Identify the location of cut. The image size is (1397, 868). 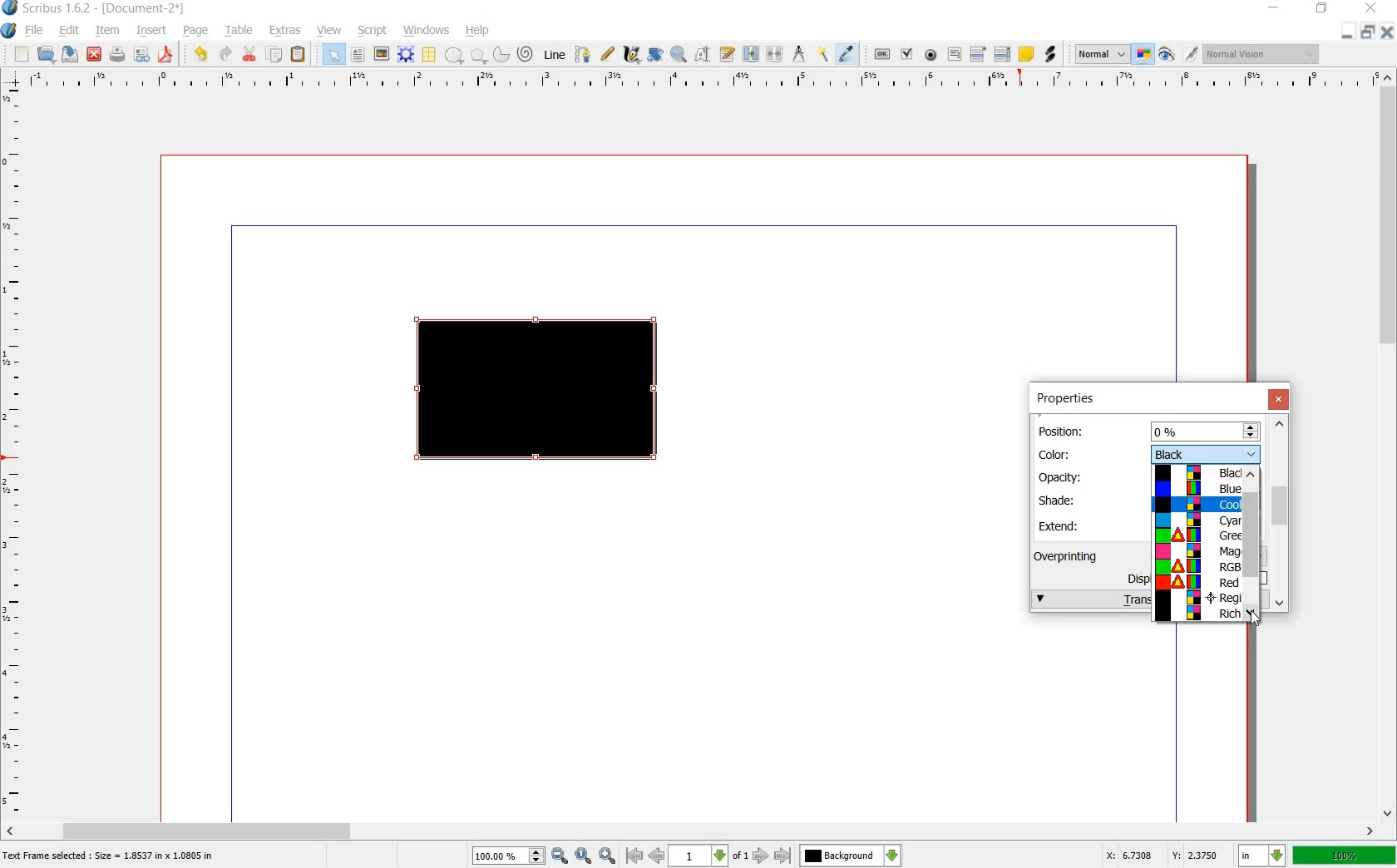
(250, 55).